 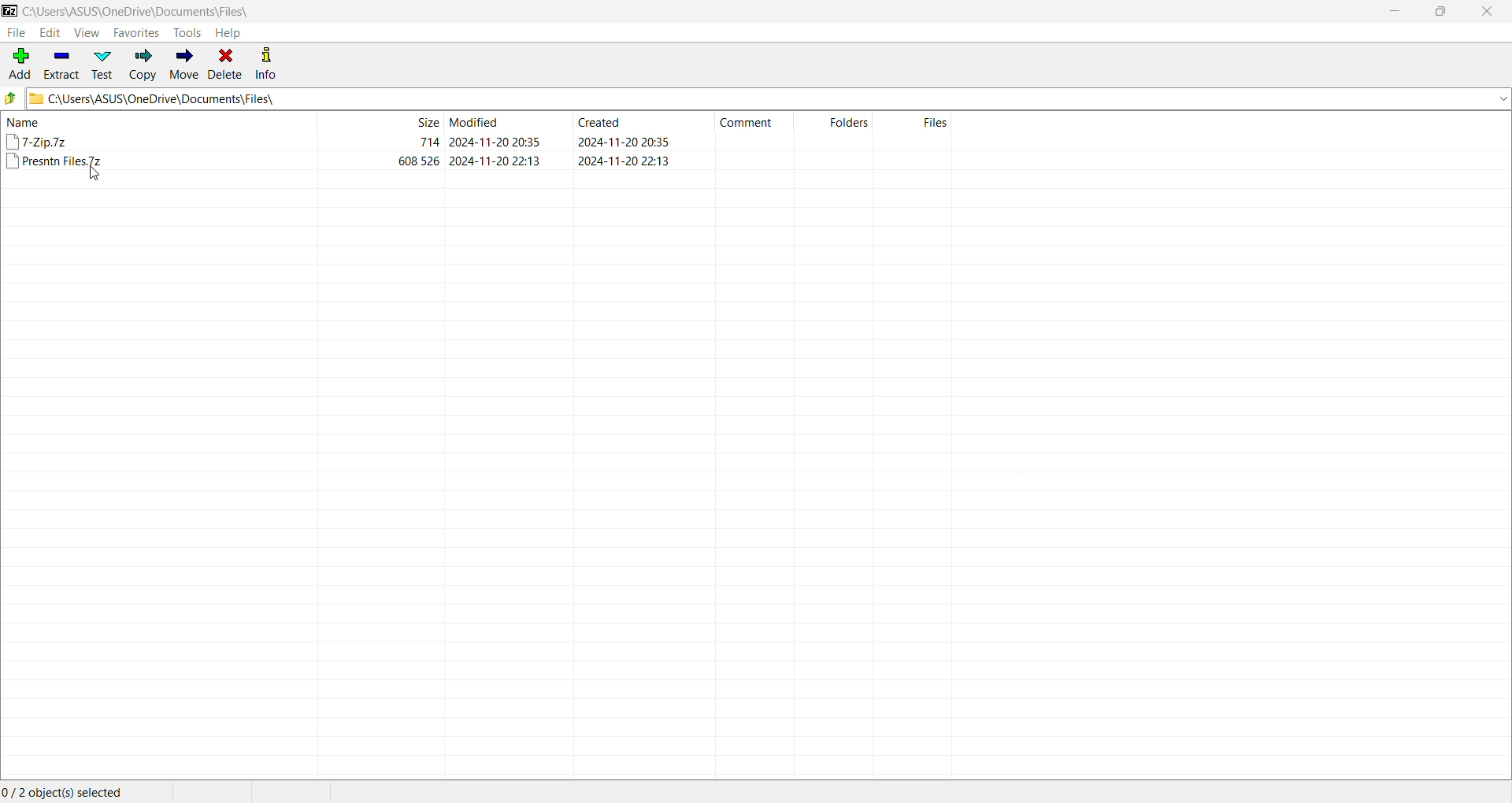 I want to click on created, so click(x=599, y=121).